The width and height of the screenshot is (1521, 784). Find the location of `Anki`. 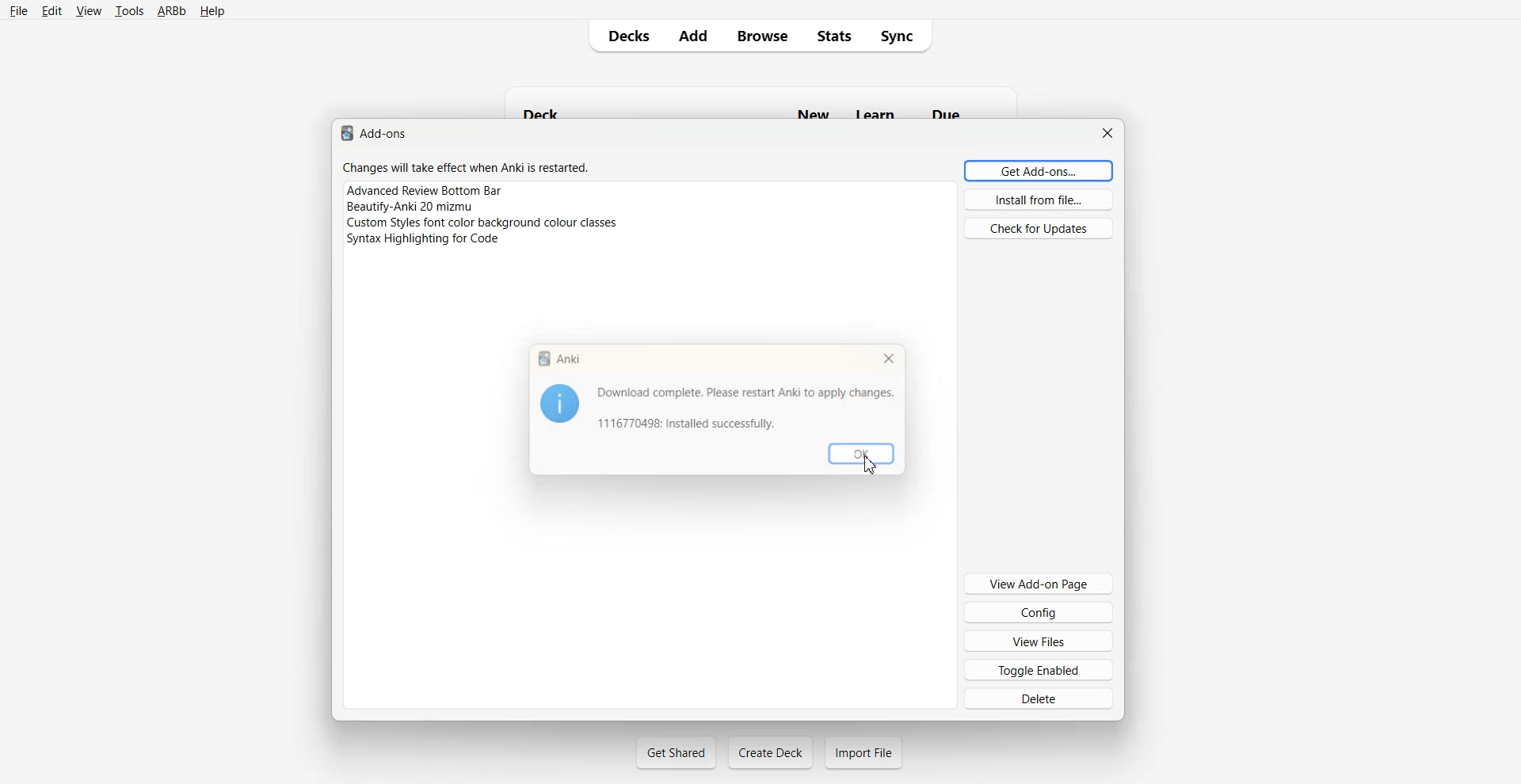

Anki is located at coordinates (566, 360).